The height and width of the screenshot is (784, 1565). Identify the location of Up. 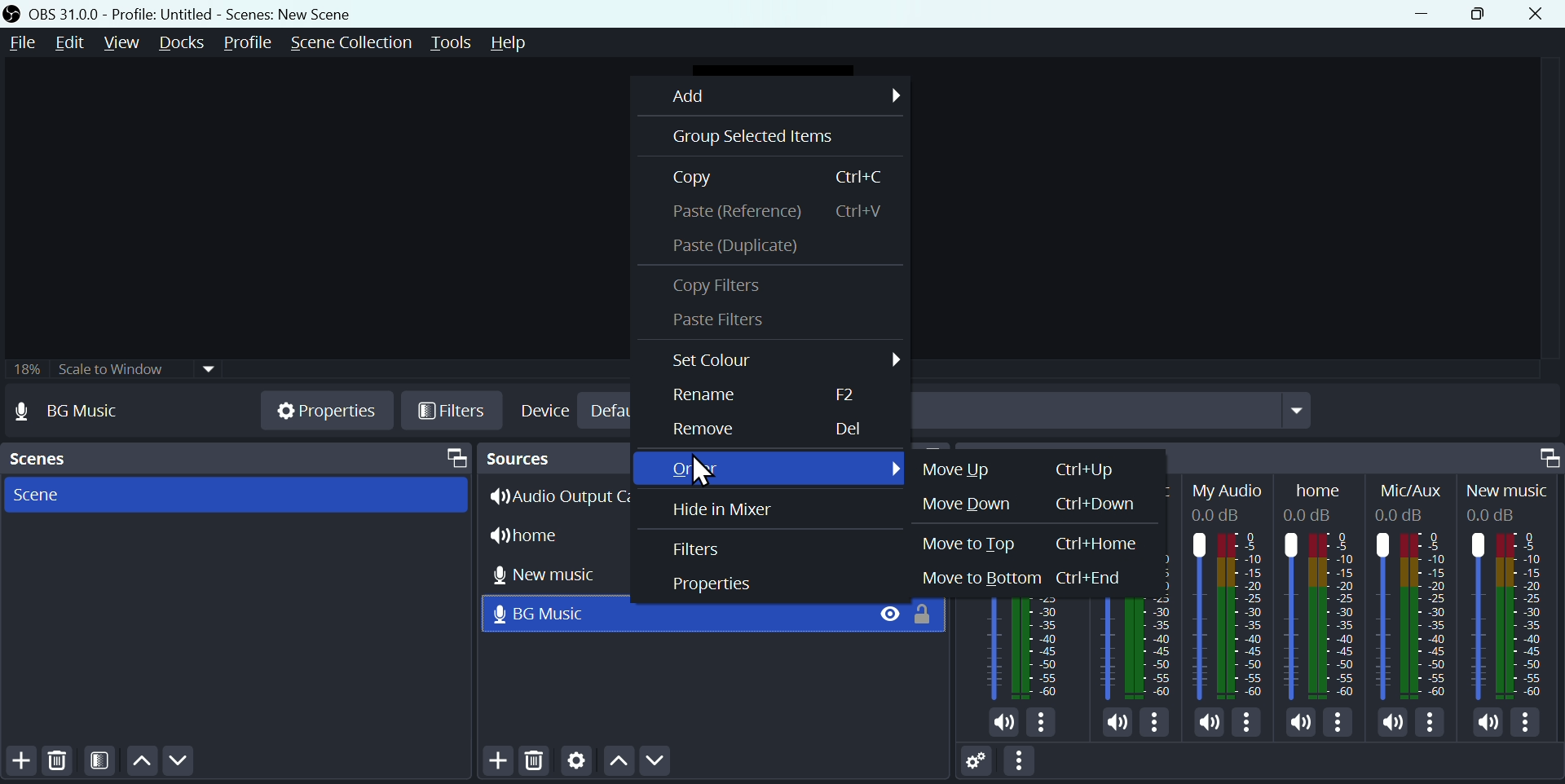
(147, 764).